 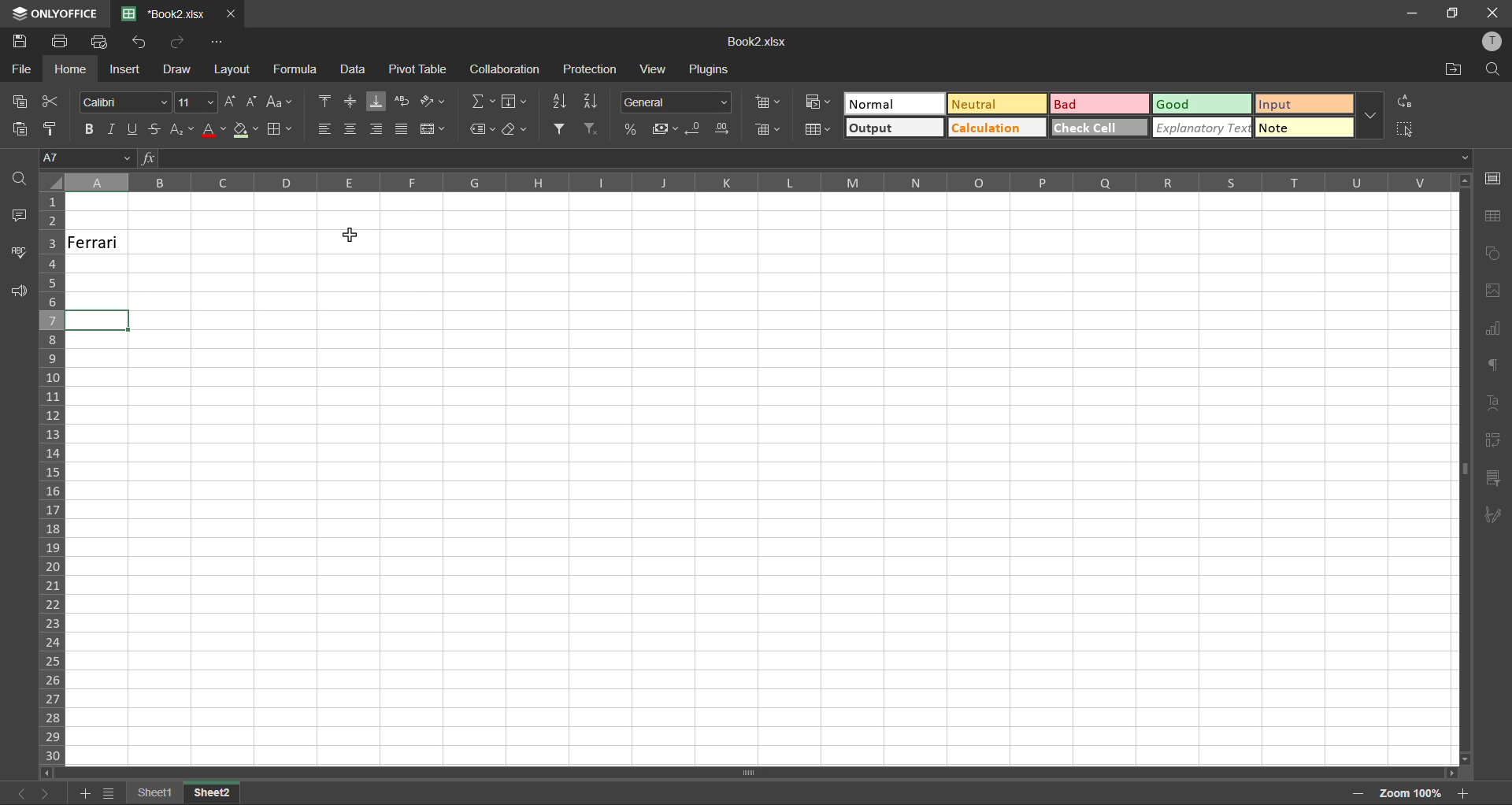 I want to click on sheetlist, so click(x=109, y=793).